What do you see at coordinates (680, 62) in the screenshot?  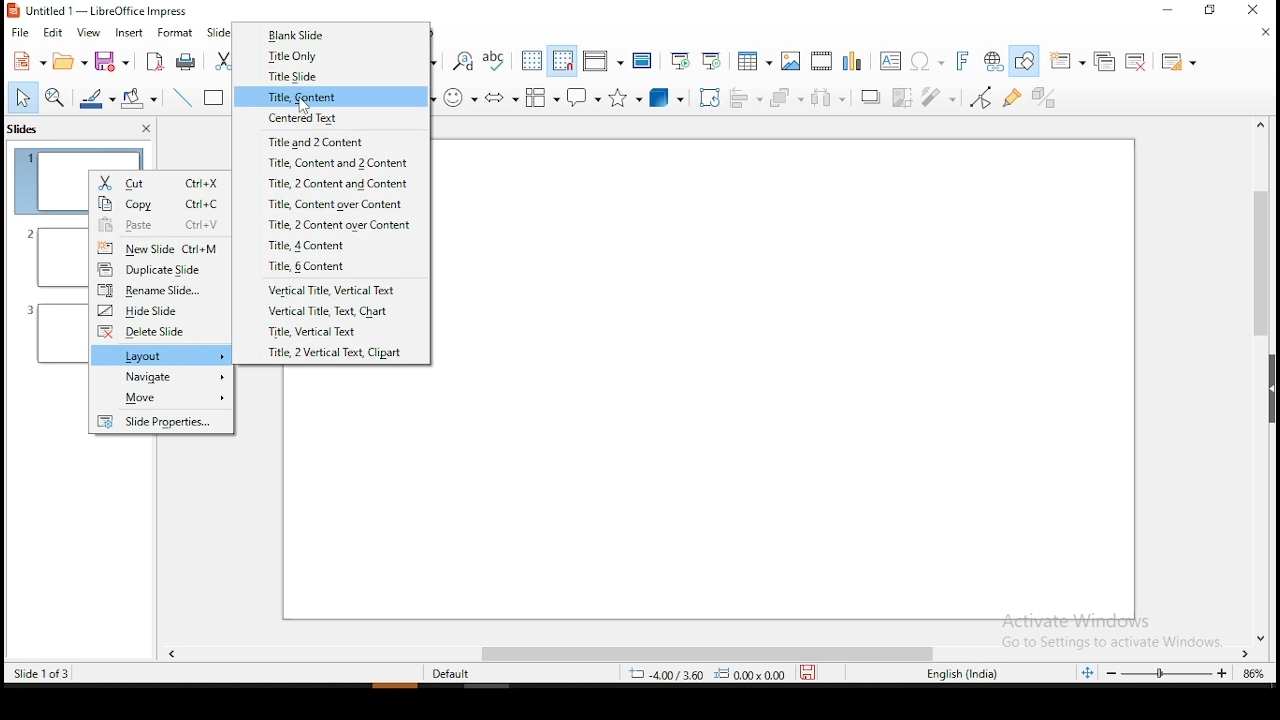 I see `start from first slide` at bounding box center [680, 62].